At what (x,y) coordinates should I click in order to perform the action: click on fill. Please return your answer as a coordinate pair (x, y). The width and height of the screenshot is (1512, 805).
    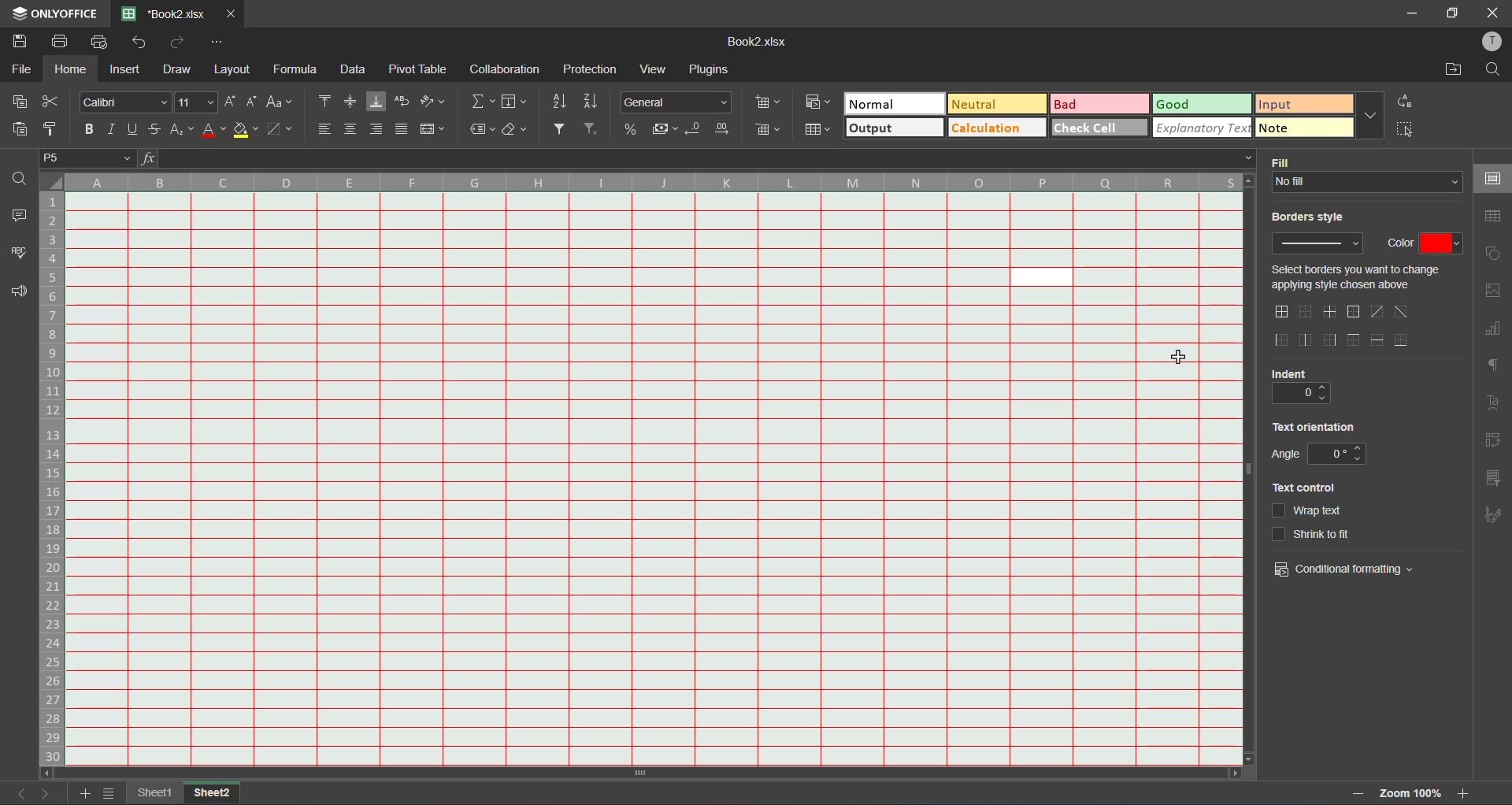
    Looking at the image, I should click on (1364, 162).